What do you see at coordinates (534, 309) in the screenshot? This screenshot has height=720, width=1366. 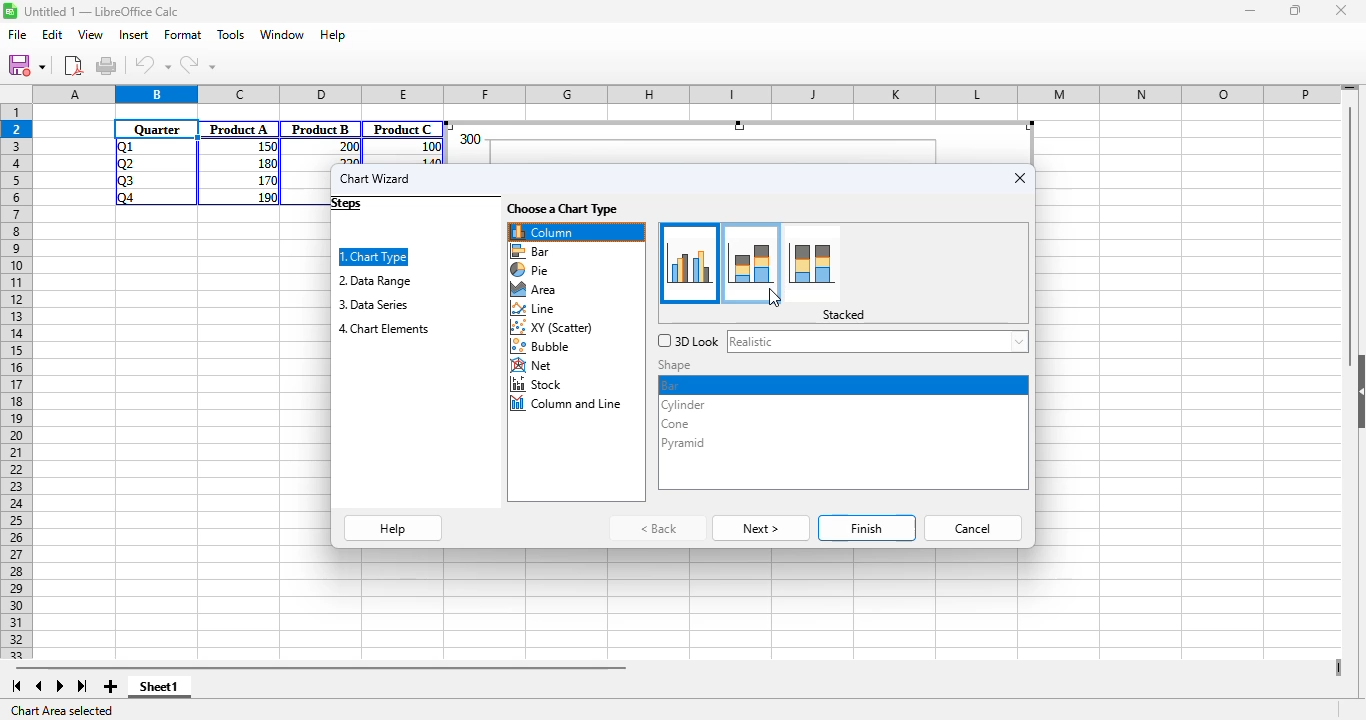 I see `line` at bounding box center [534, 309].